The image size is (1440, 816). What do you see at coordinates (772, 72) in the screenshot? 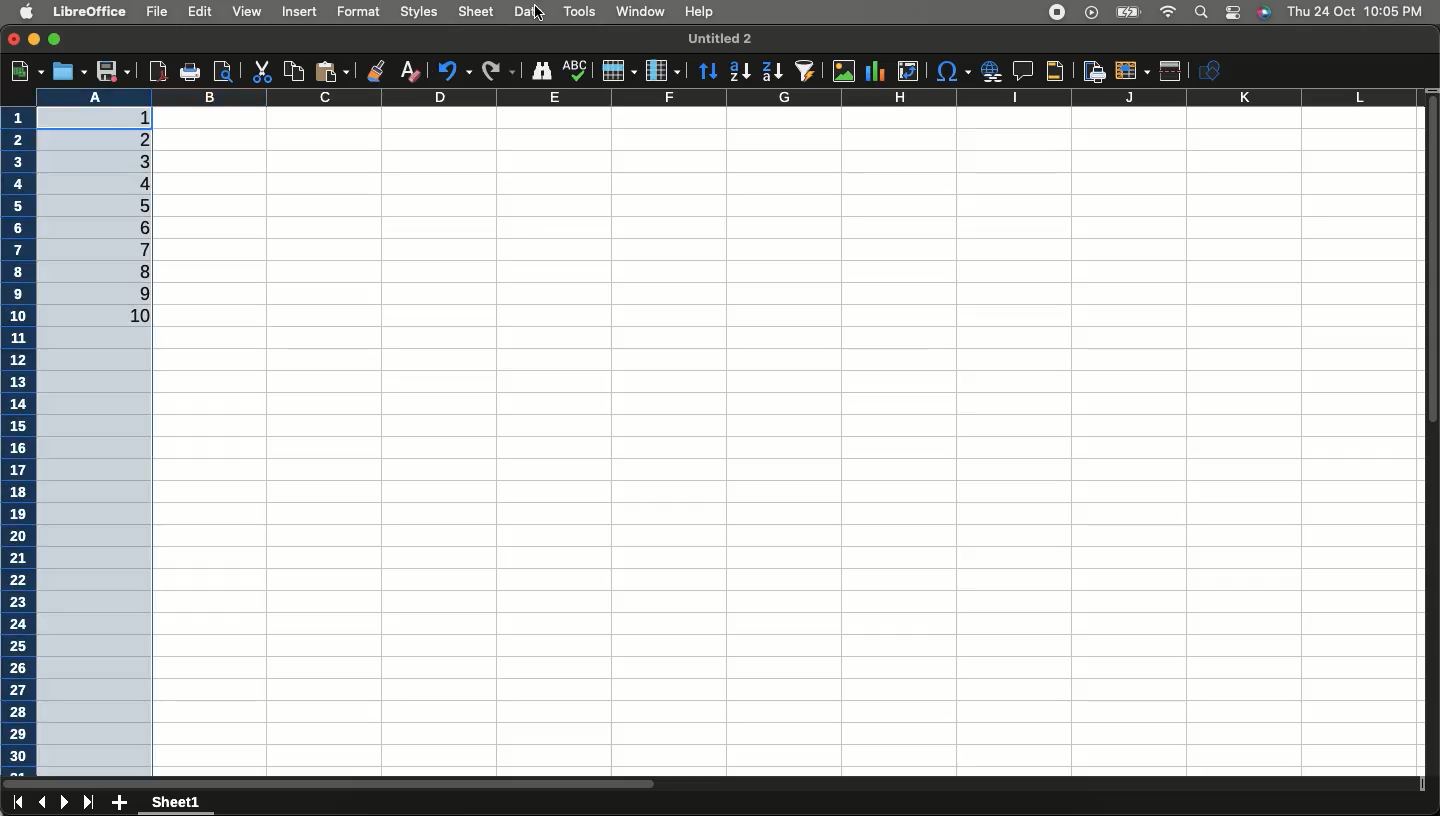
I see `Sort descending` at bounding box center [772, 72].